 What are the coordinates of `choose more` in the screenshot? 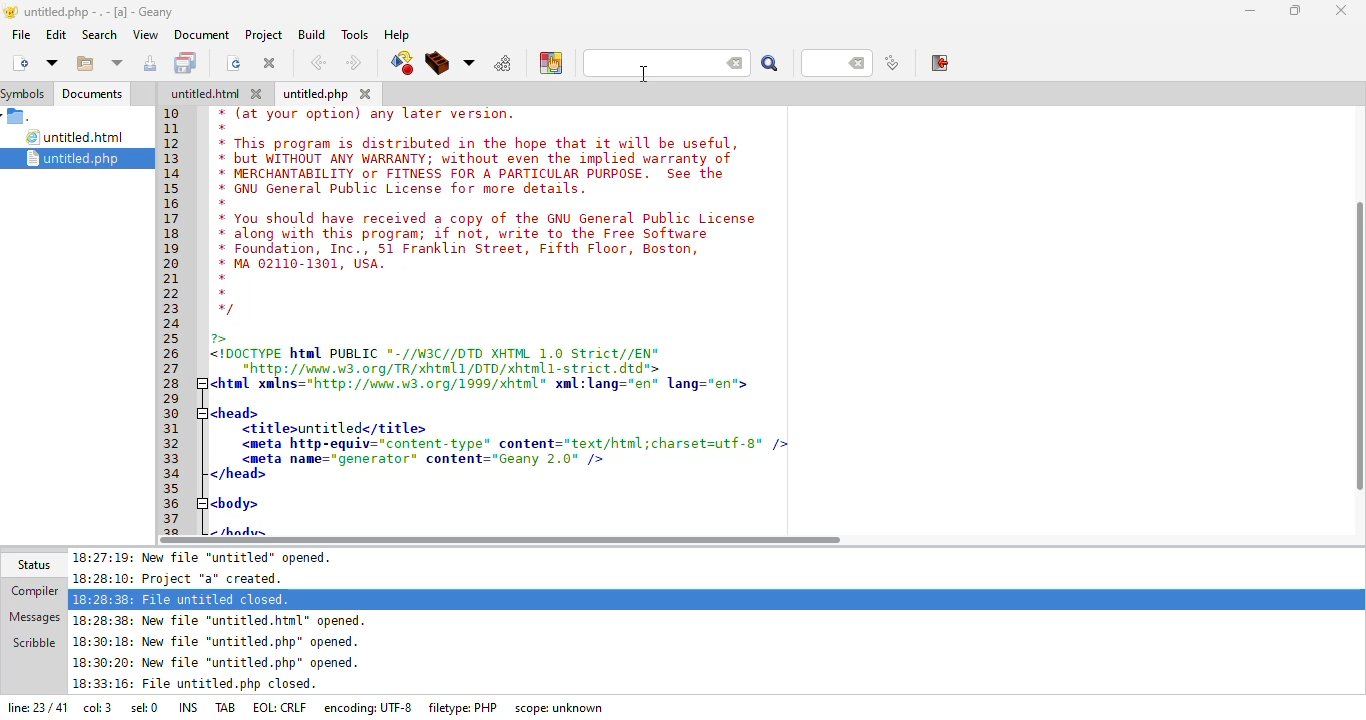 It's located at (469, 63).